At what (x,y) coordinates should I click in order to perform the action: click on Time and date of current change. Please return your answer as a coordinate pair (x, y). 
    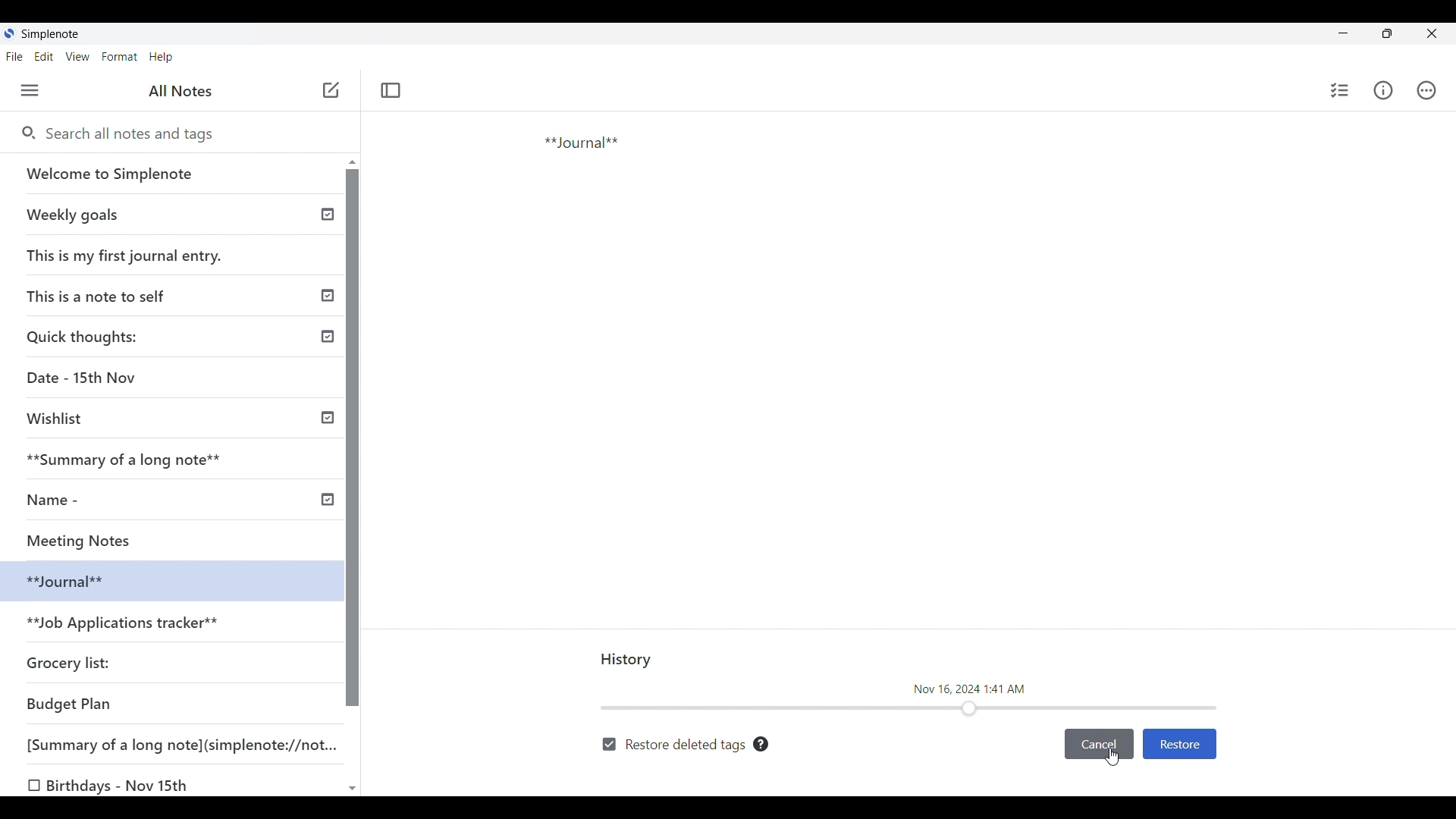
    Looking at the image, I should click on (970, 688).